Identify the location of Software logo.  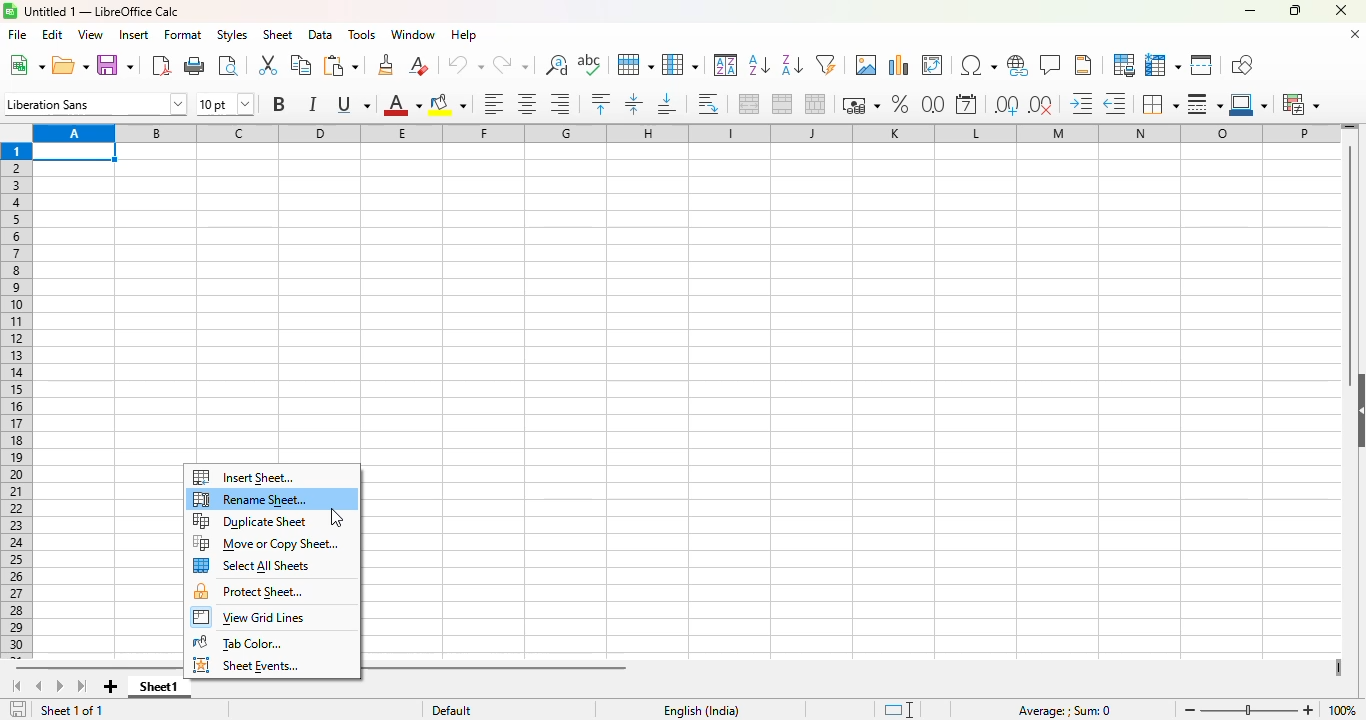
(9, 11).